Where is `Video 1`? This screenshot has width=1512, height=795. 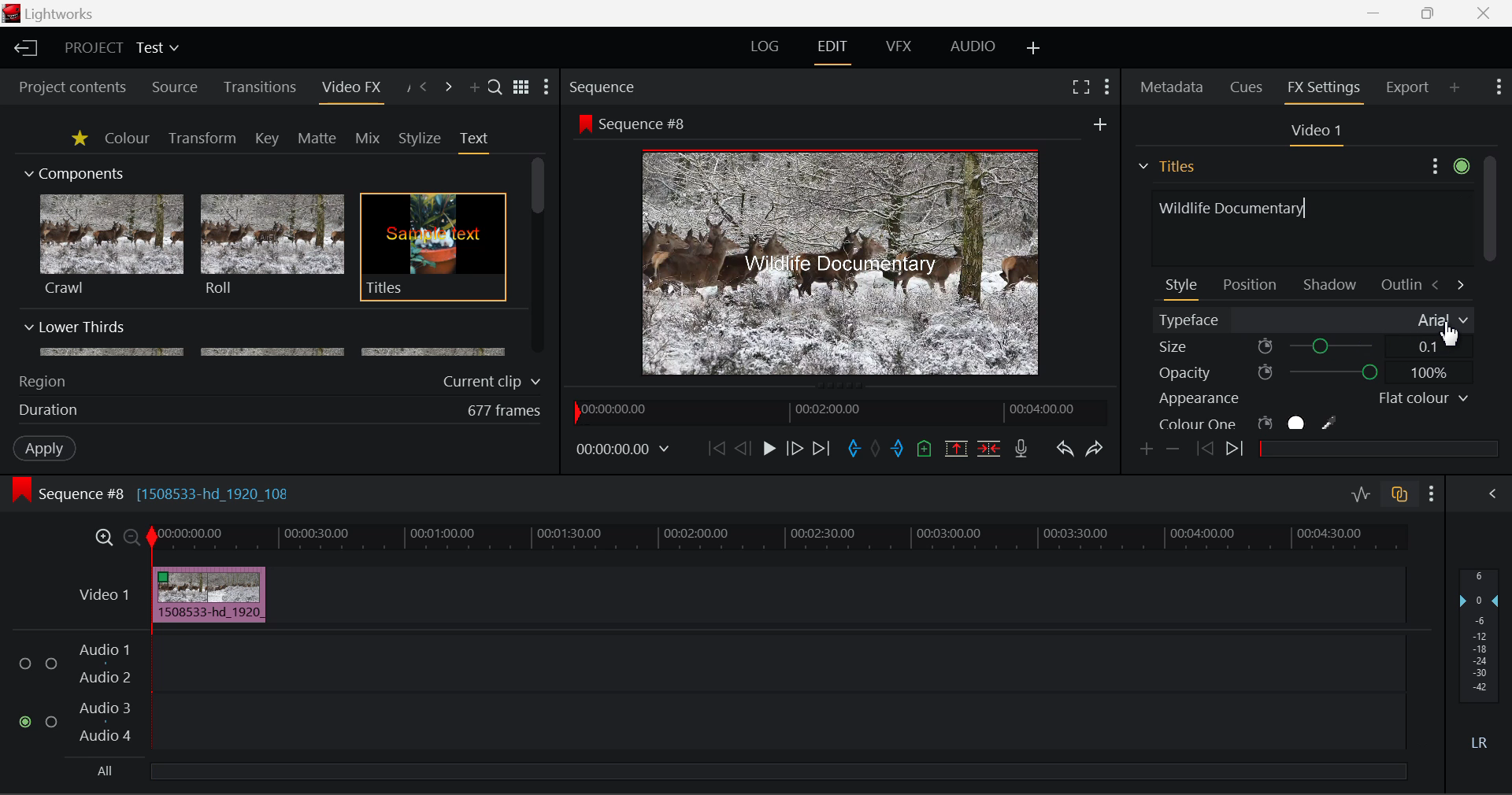
Video 1 is located at coordinates (1314, 131).